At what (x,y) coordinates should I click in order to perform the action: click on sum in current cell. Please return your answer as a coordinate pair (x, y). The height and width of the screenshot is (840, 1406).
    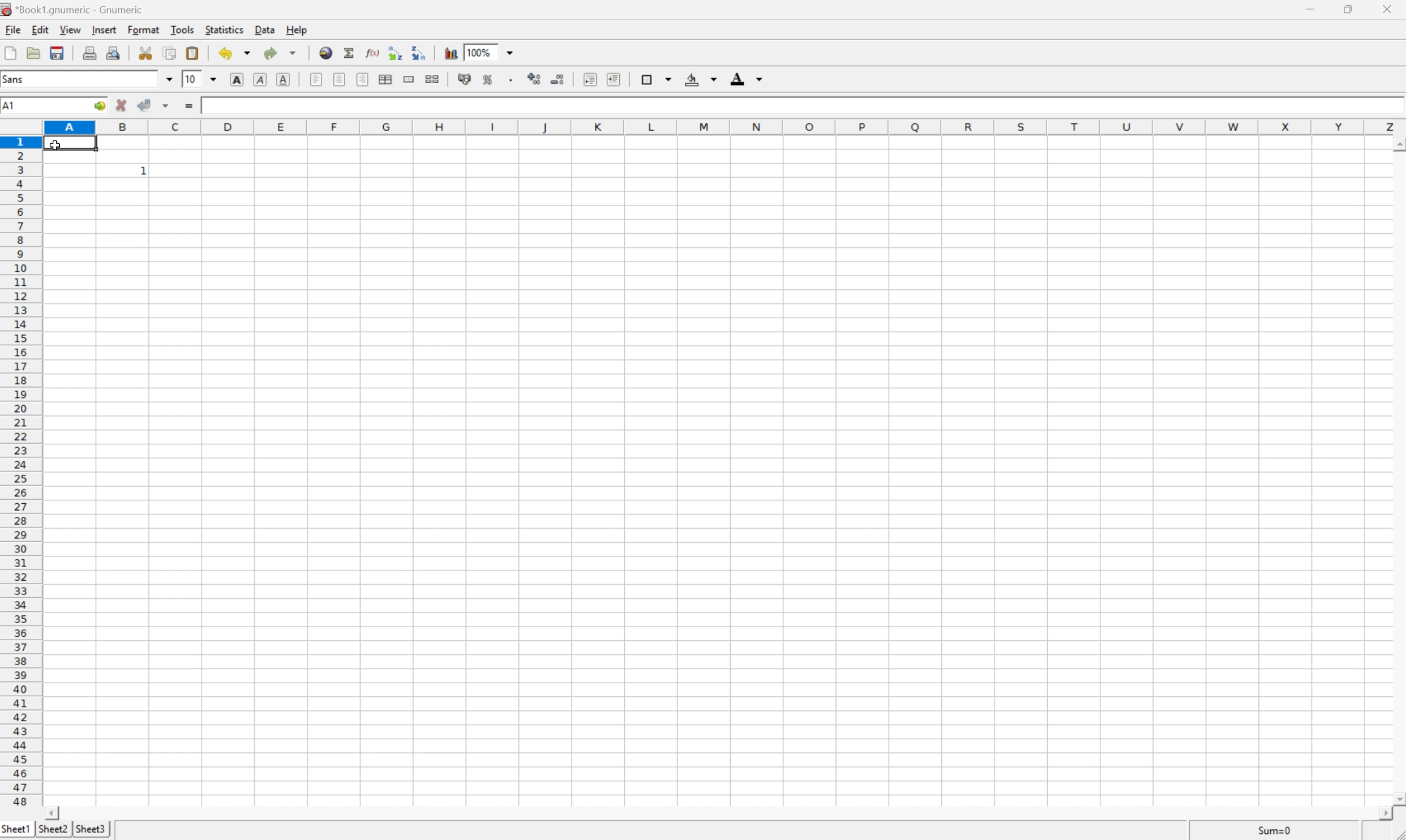
    Looking at the image, I should click on (349, 54).